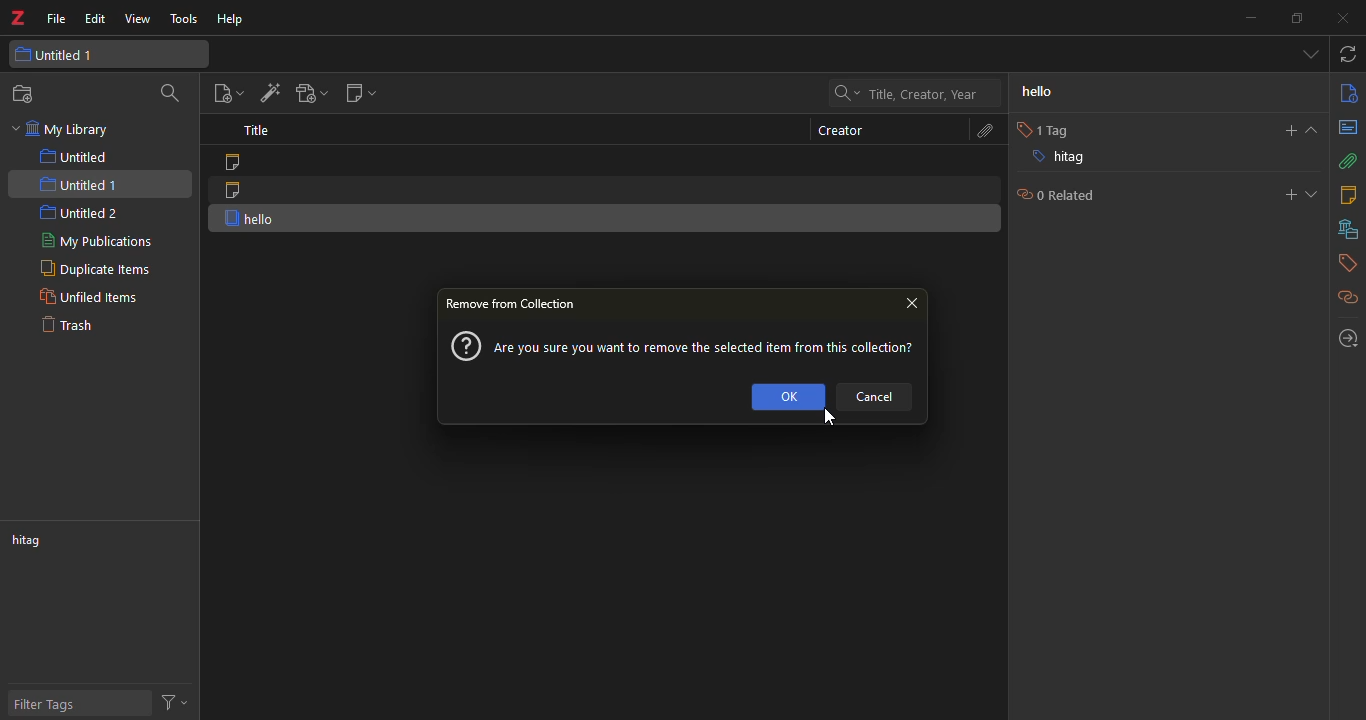 This screenshot has width=1366, height=720. I want to click on untitled 1, so click(57, 56).